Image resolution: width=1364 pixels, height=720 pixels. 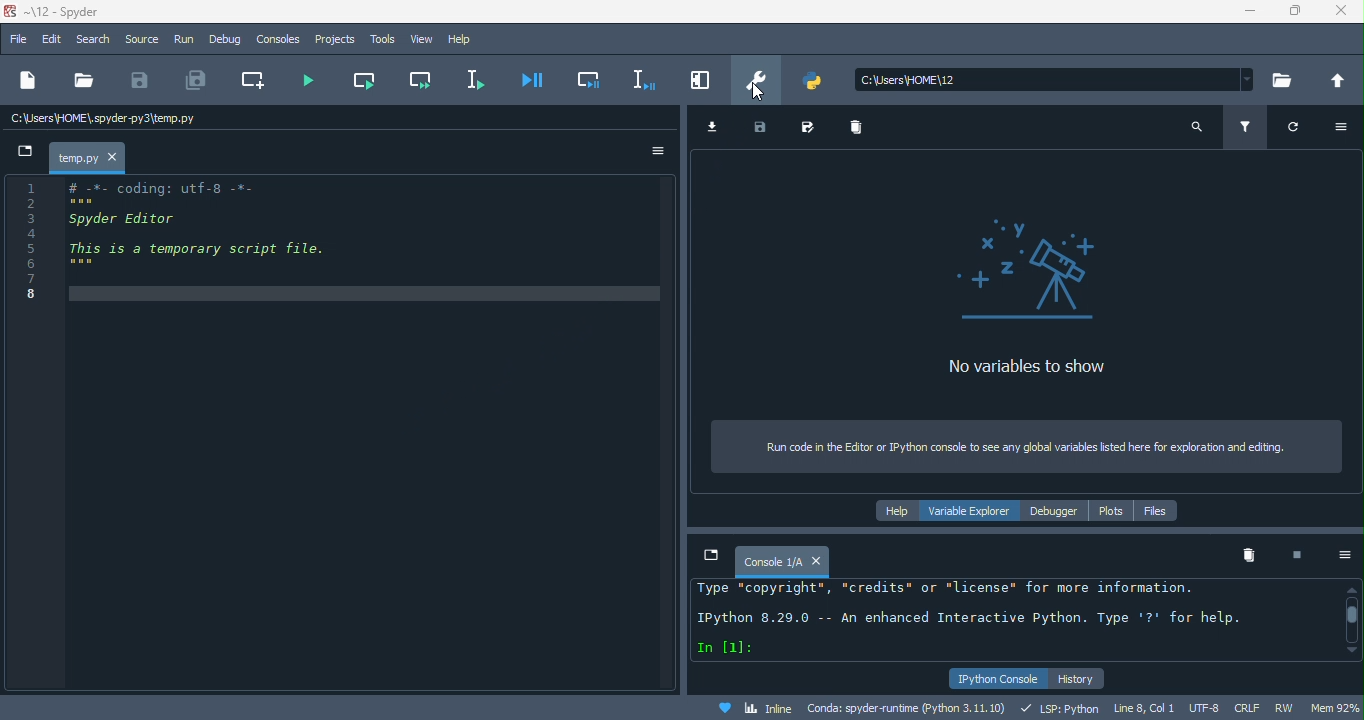 I want to click on maximize, so click(x=1293, y=14).